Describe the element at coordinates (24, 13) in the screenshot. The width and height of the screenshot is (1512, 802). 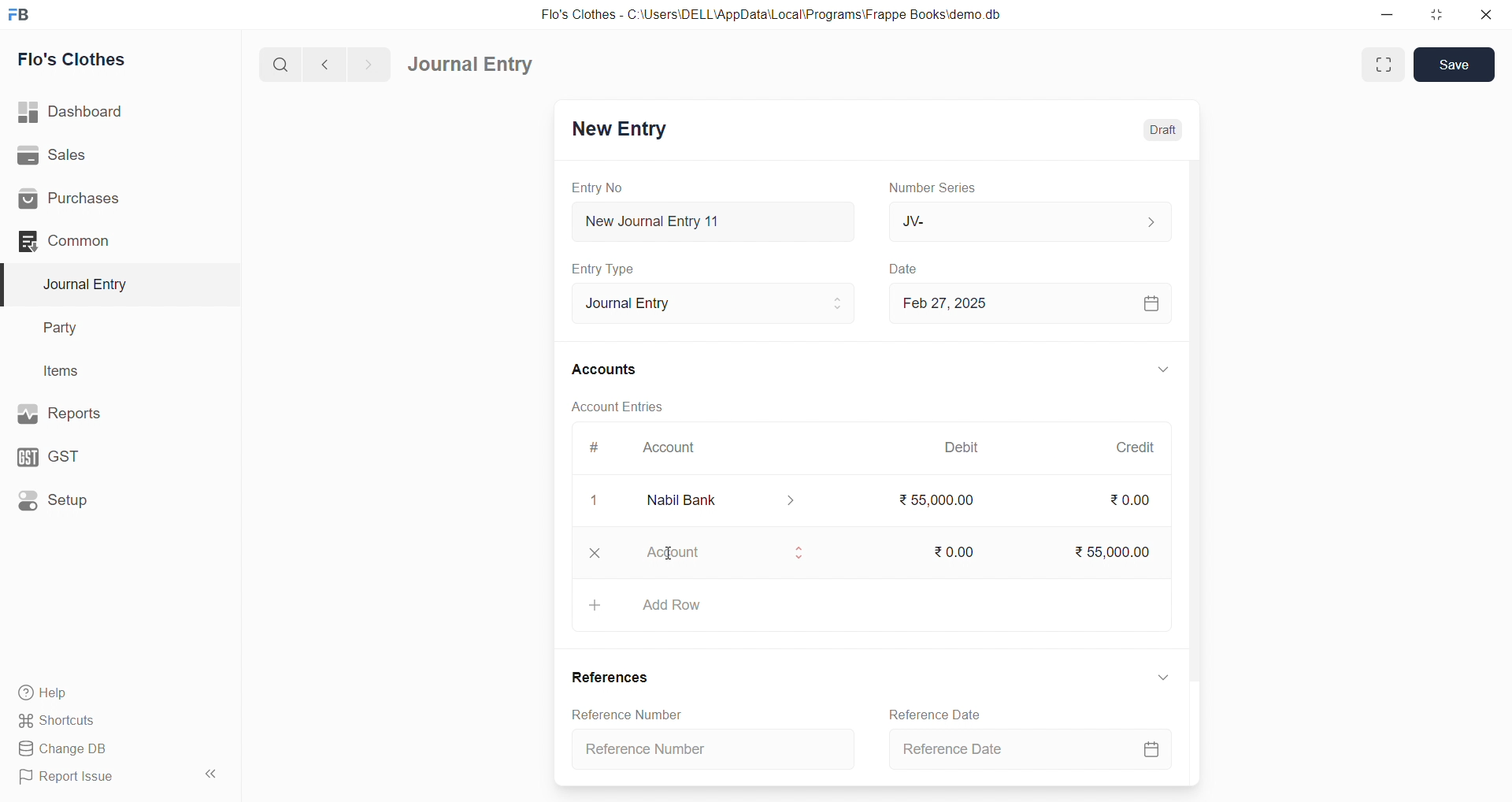
I see `logo` at that location.